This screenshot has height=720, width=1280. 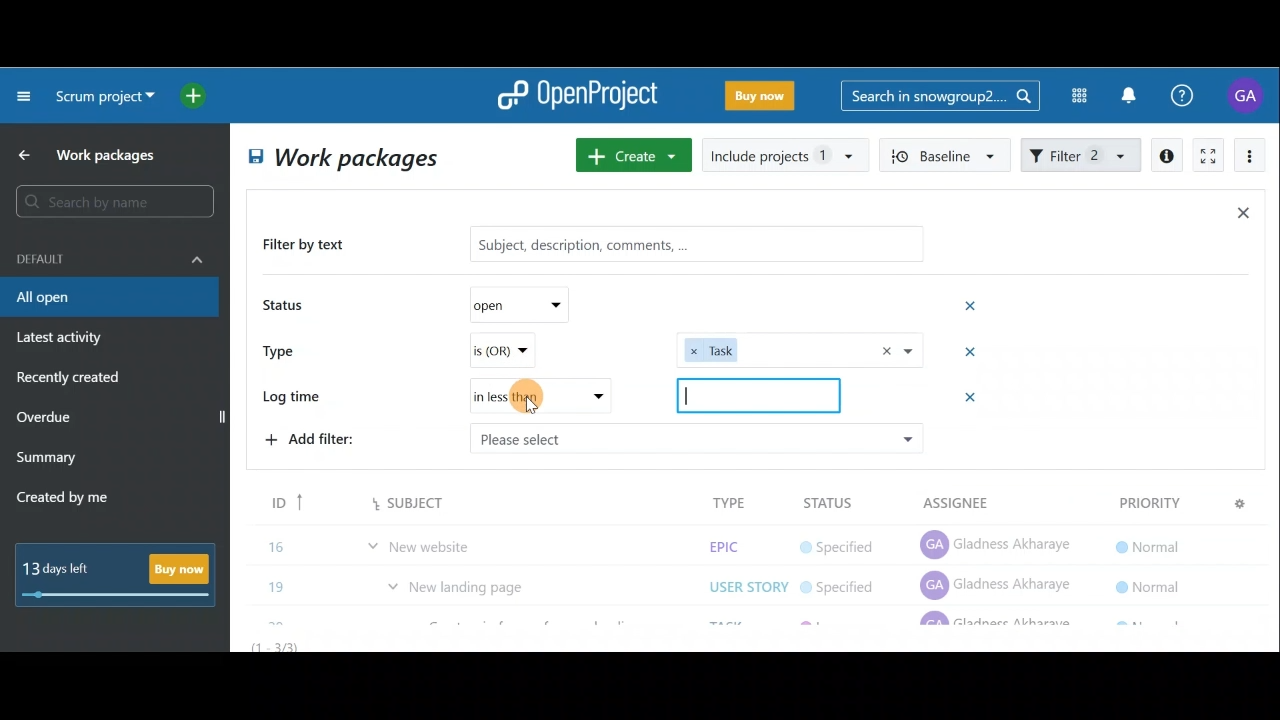 I want to click on Latest activity, so click(x=62, y=340).